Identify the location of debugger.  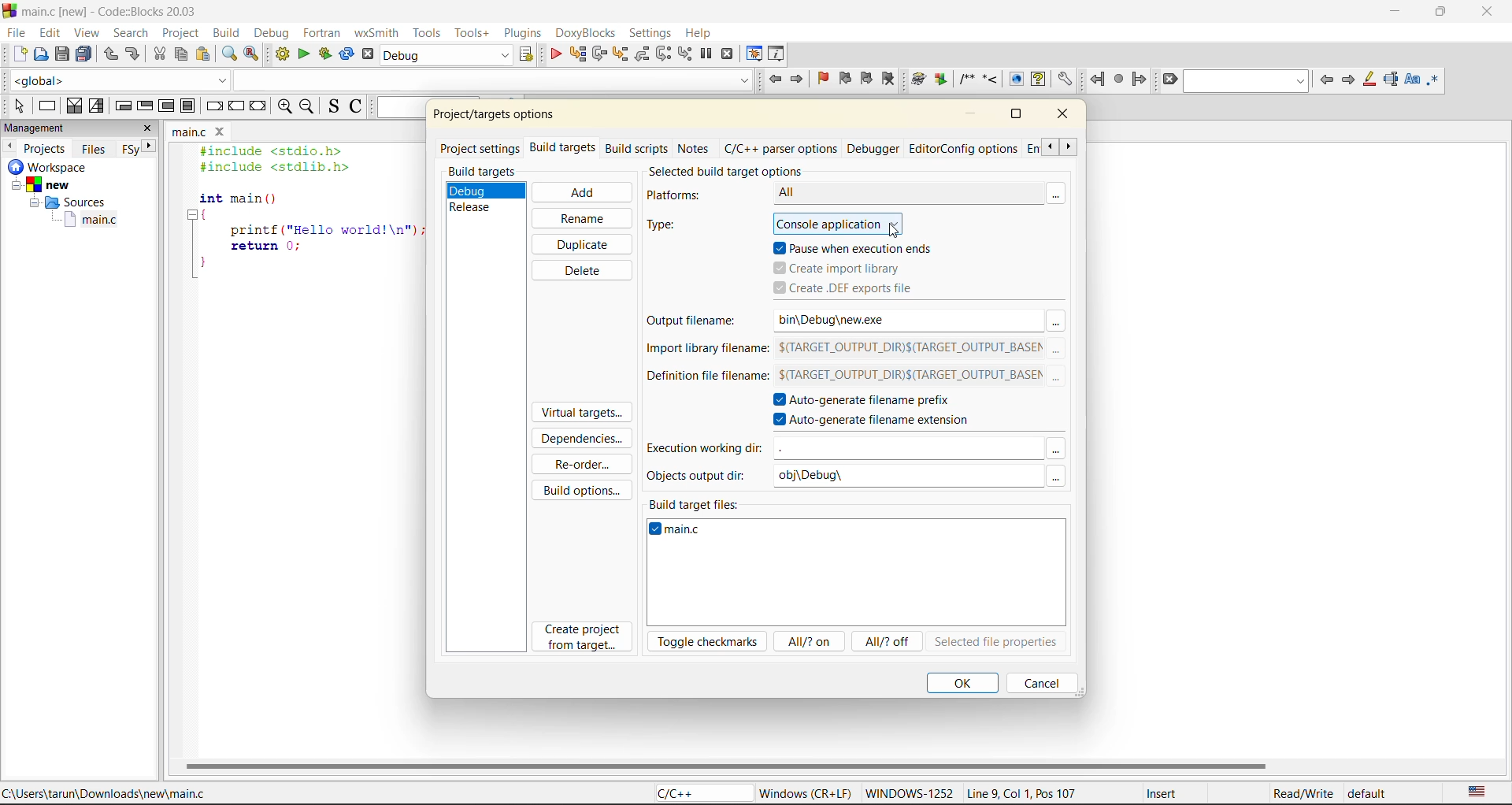
(876, 150).